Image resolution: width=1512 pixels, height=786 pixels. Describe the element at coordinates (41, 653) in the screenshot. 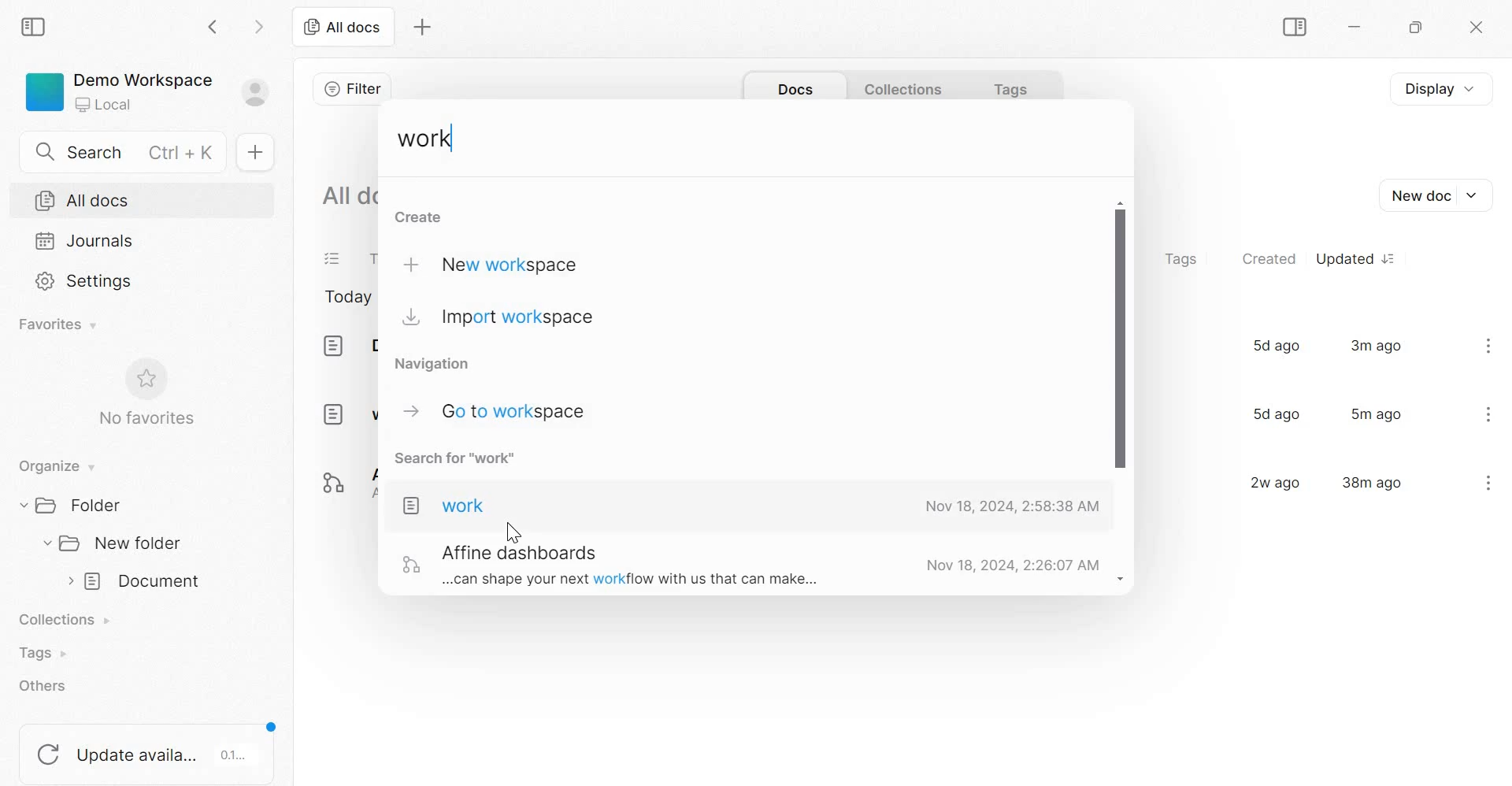

I see `Tags` at that location.